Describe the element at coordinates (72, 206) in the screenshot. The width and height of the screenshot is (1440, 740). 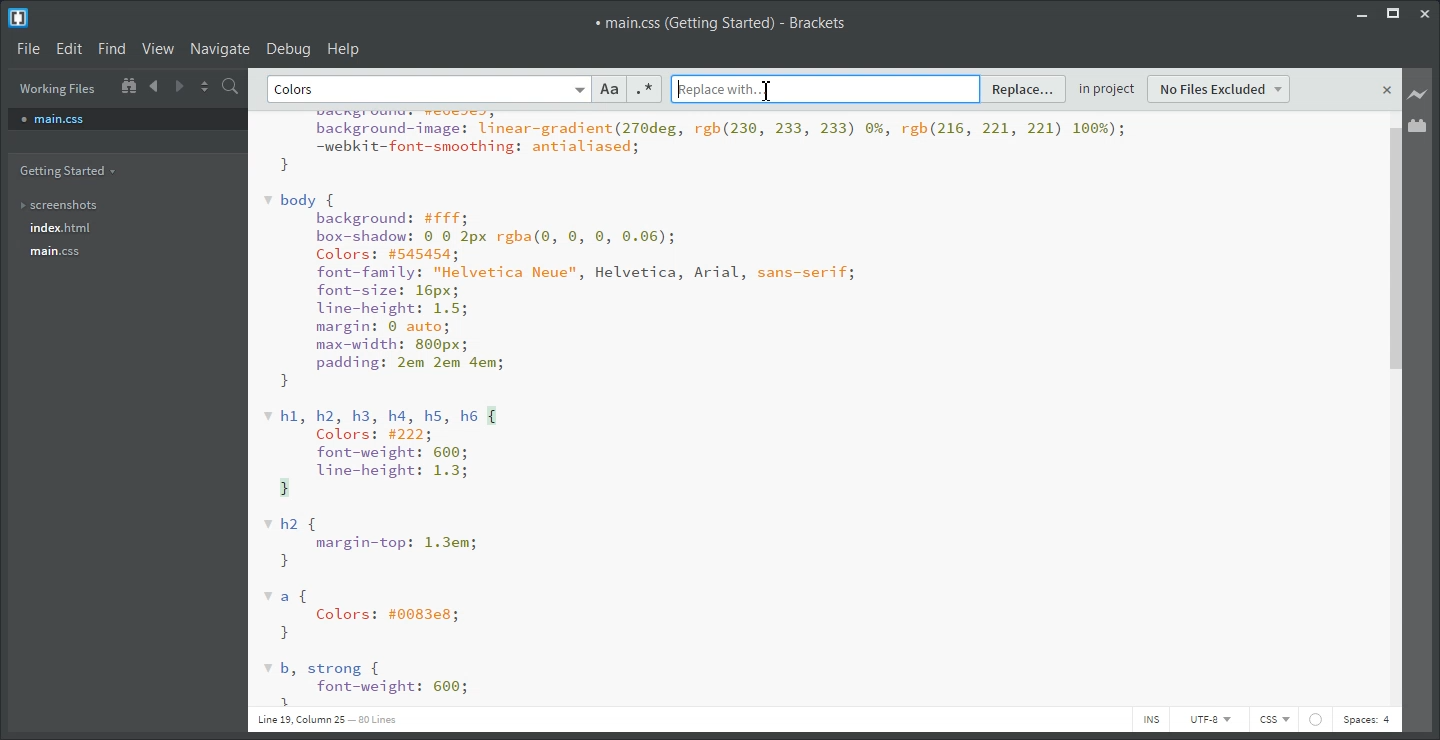
I see `screenshots` at that location.